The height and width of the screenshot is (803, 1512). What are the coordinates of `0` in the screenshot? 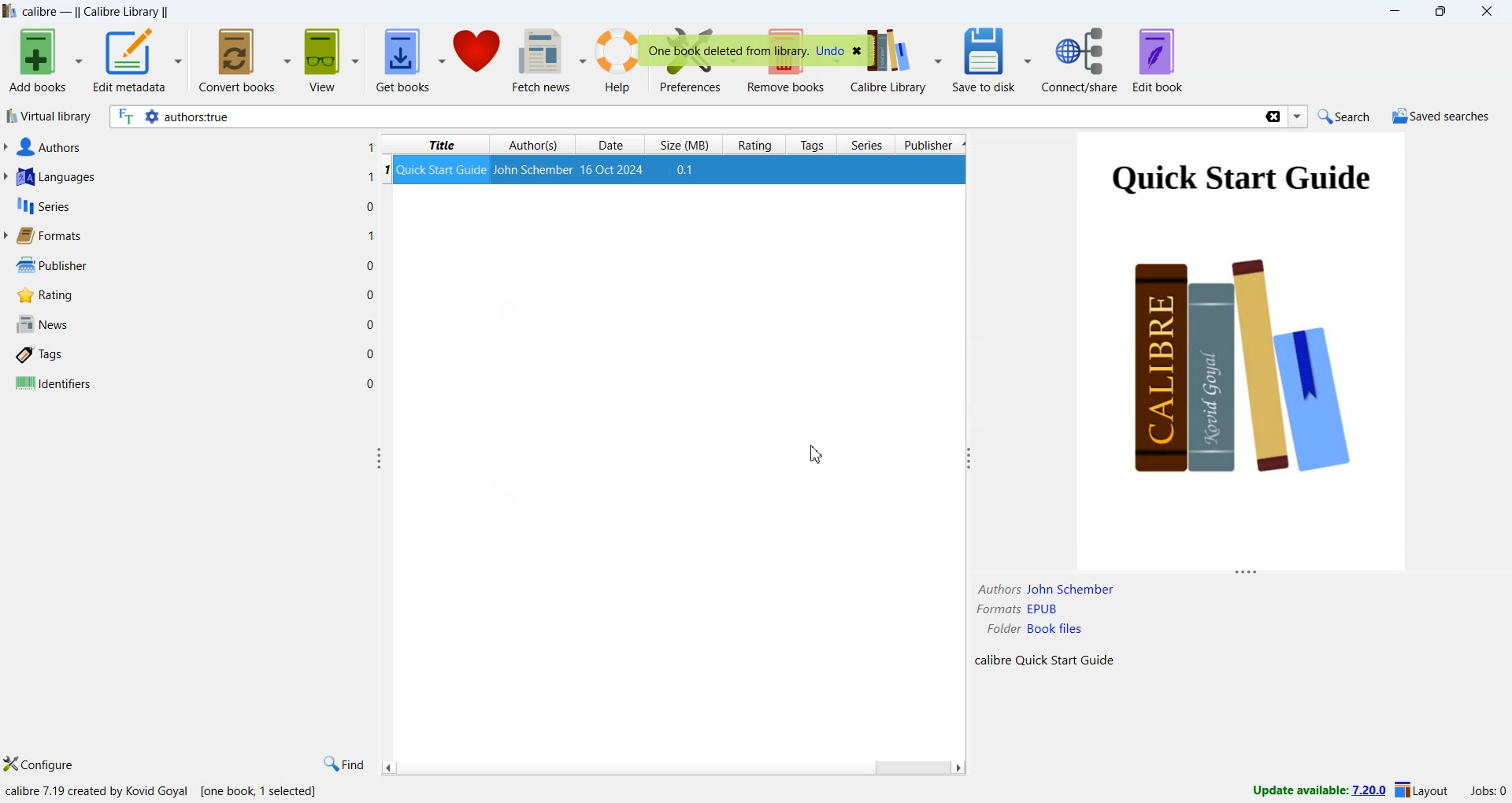 It's located at (372, 324).